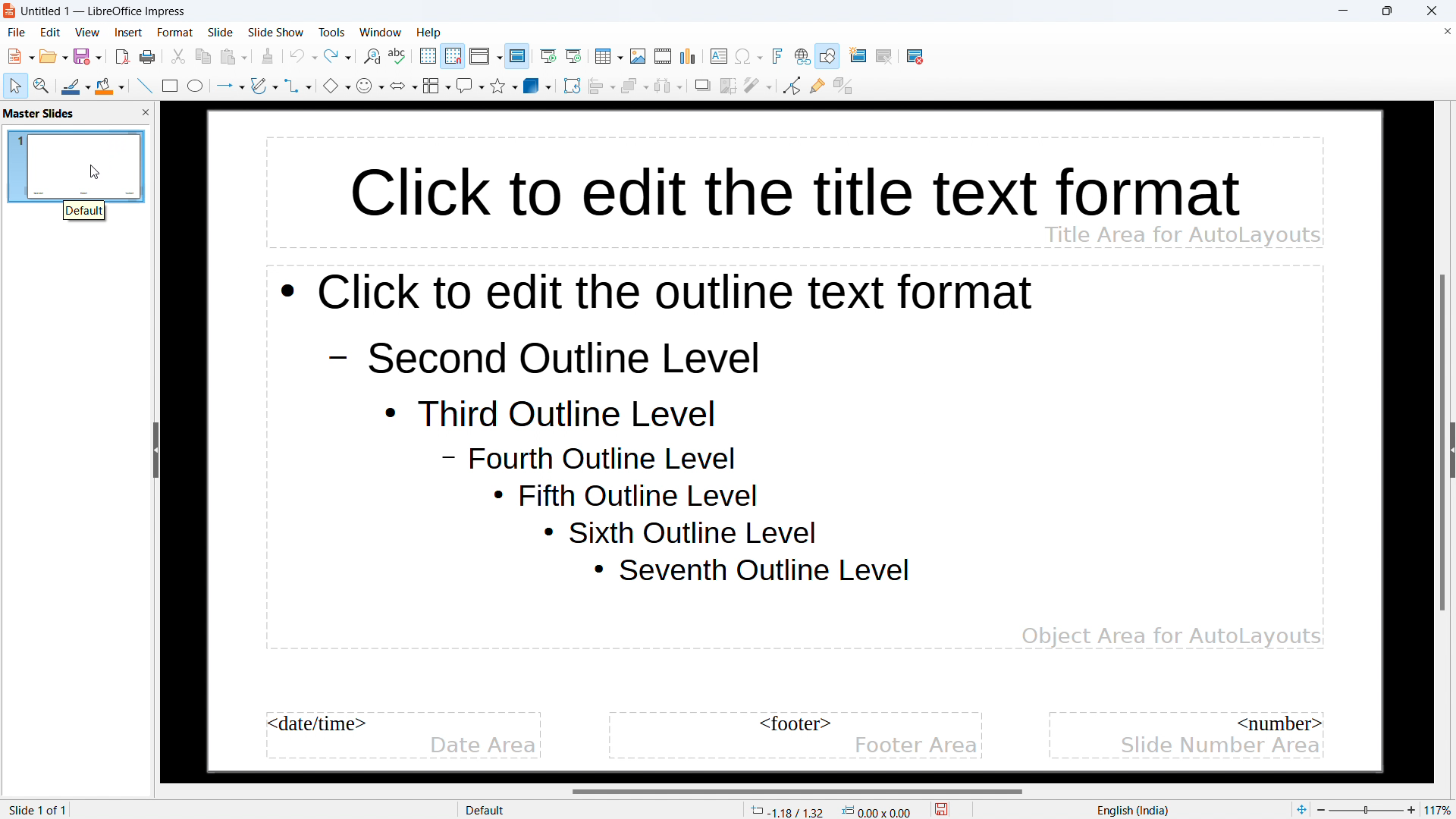 The height and width of the screenshot is (819, 1456). I want to click on copy, so click(203, 57).